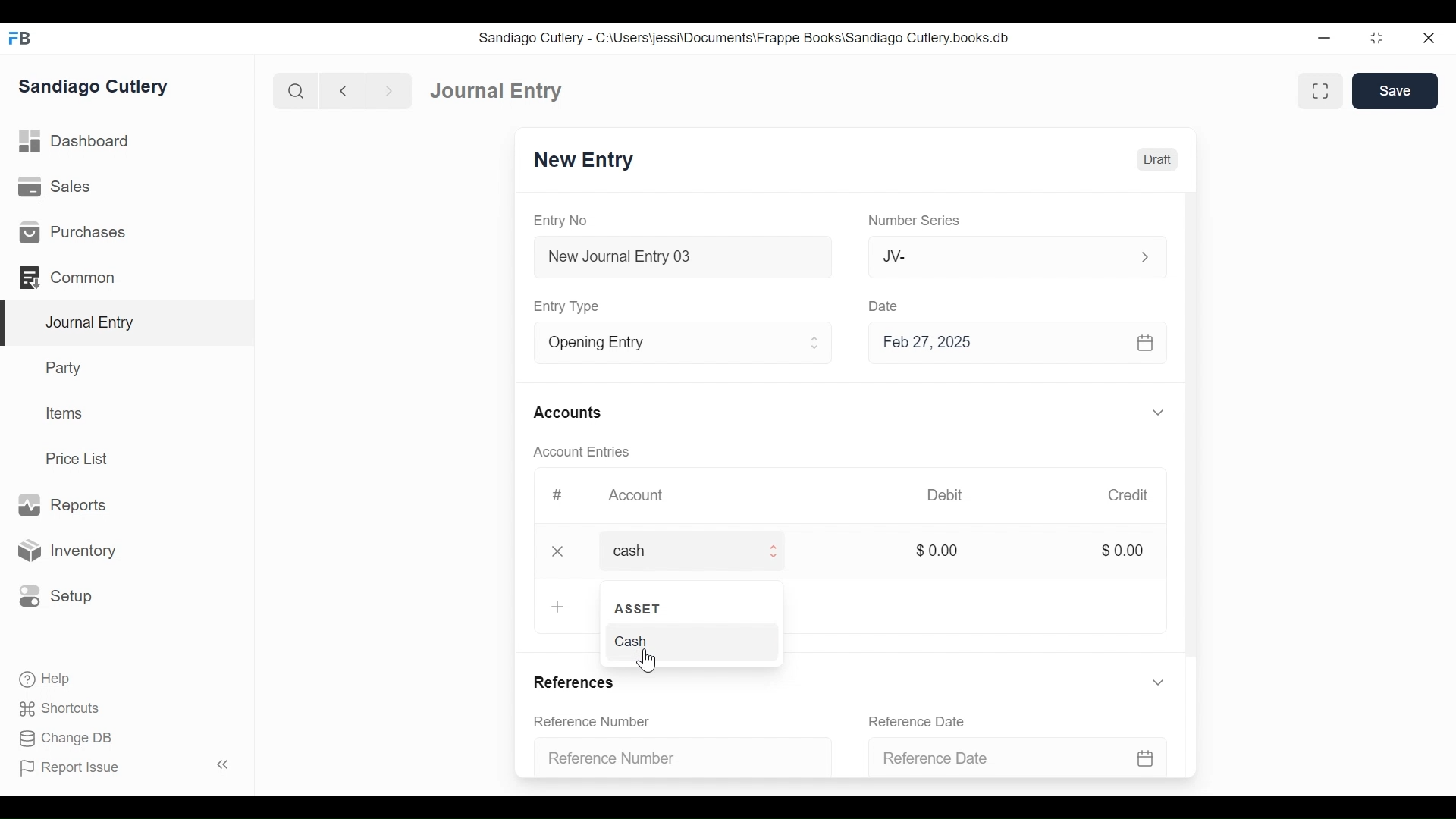 This screenshot has width=1456, height=819. Describe the element at coordinates (679, 257) in the screenshot. I see `New Journal Entry 03` at that location.